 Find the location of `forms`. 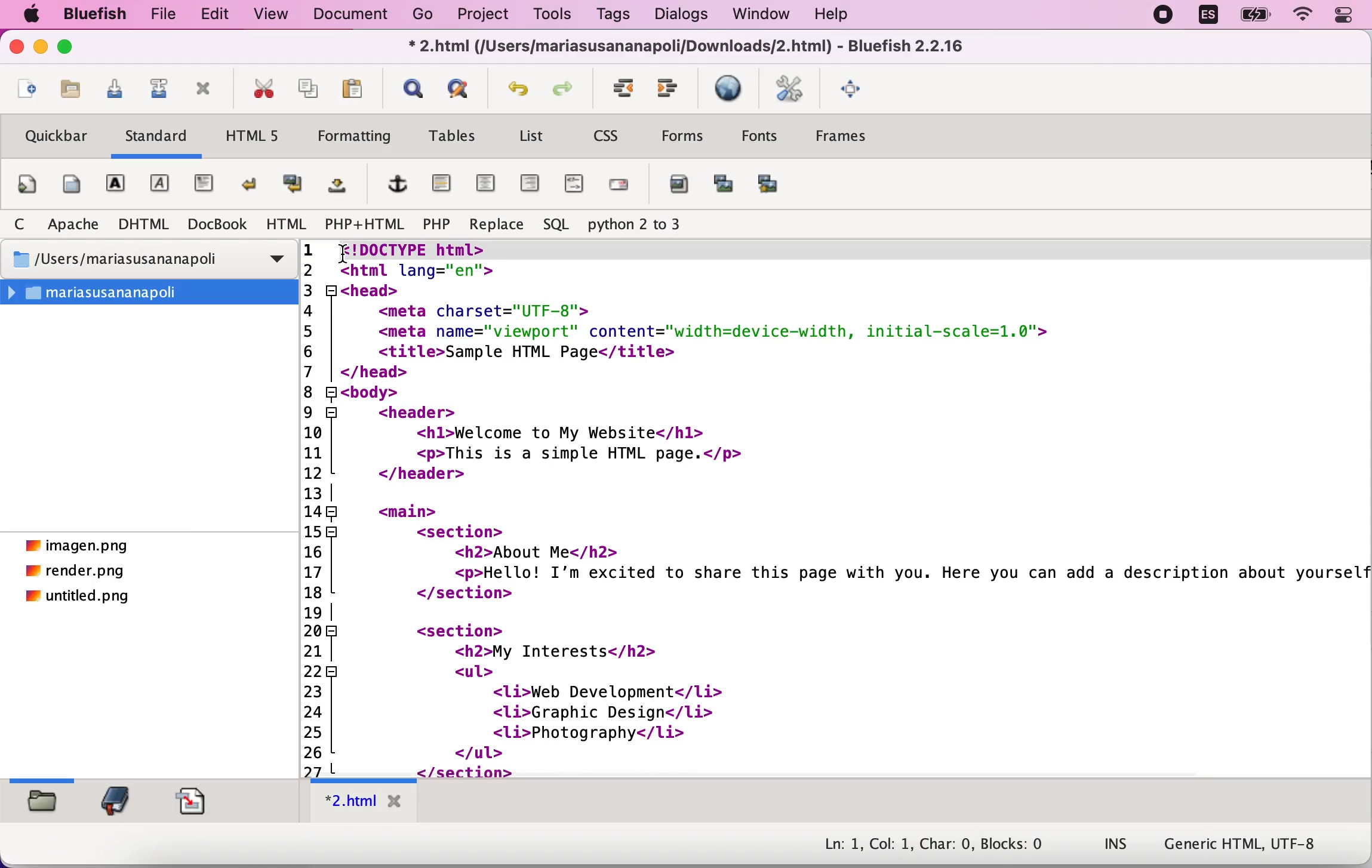

forms is located at coordinates (686, 136).